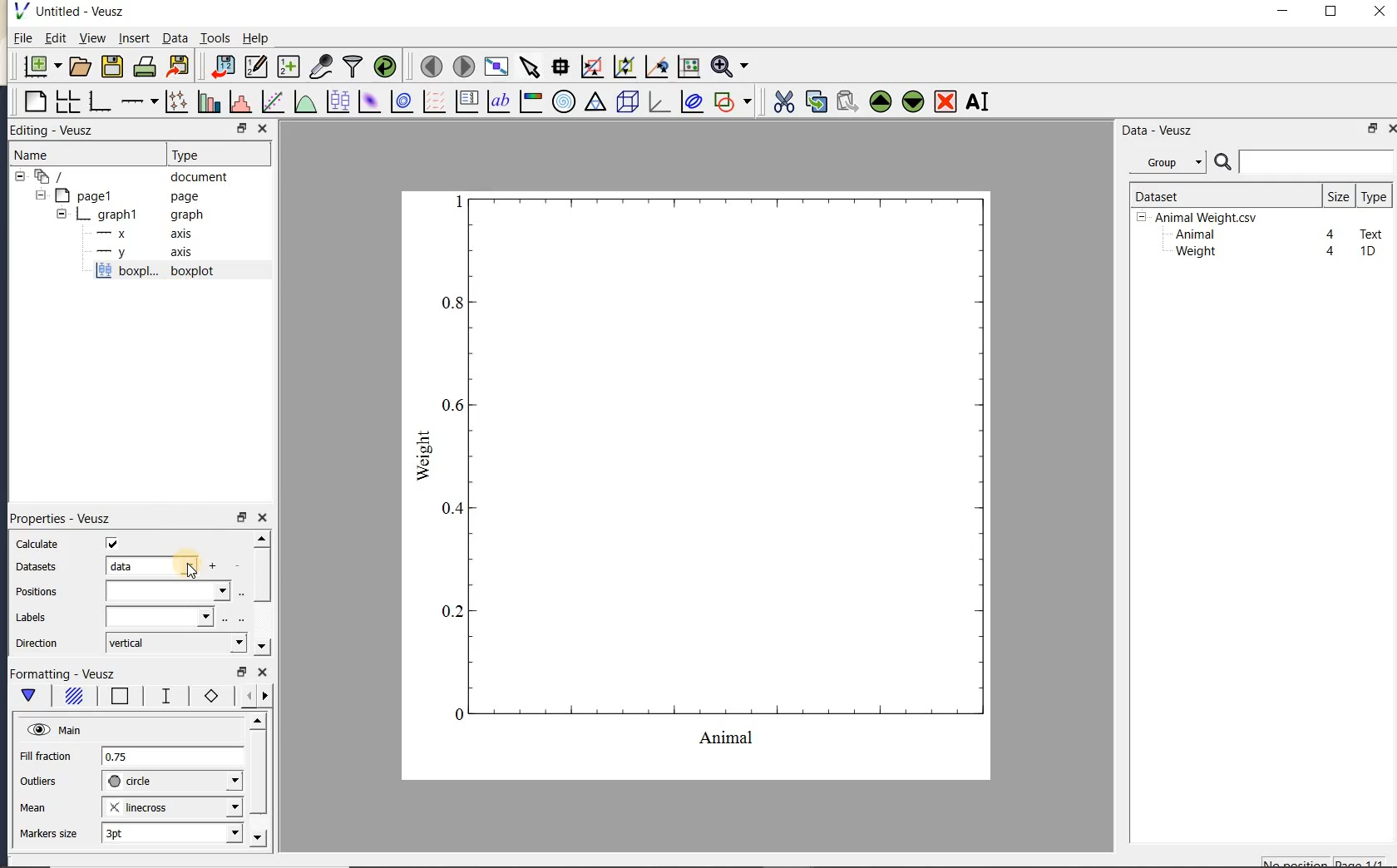 The height and width of the screenshot is (868, 1397). I want to click on polar graph, so click(563, 101).